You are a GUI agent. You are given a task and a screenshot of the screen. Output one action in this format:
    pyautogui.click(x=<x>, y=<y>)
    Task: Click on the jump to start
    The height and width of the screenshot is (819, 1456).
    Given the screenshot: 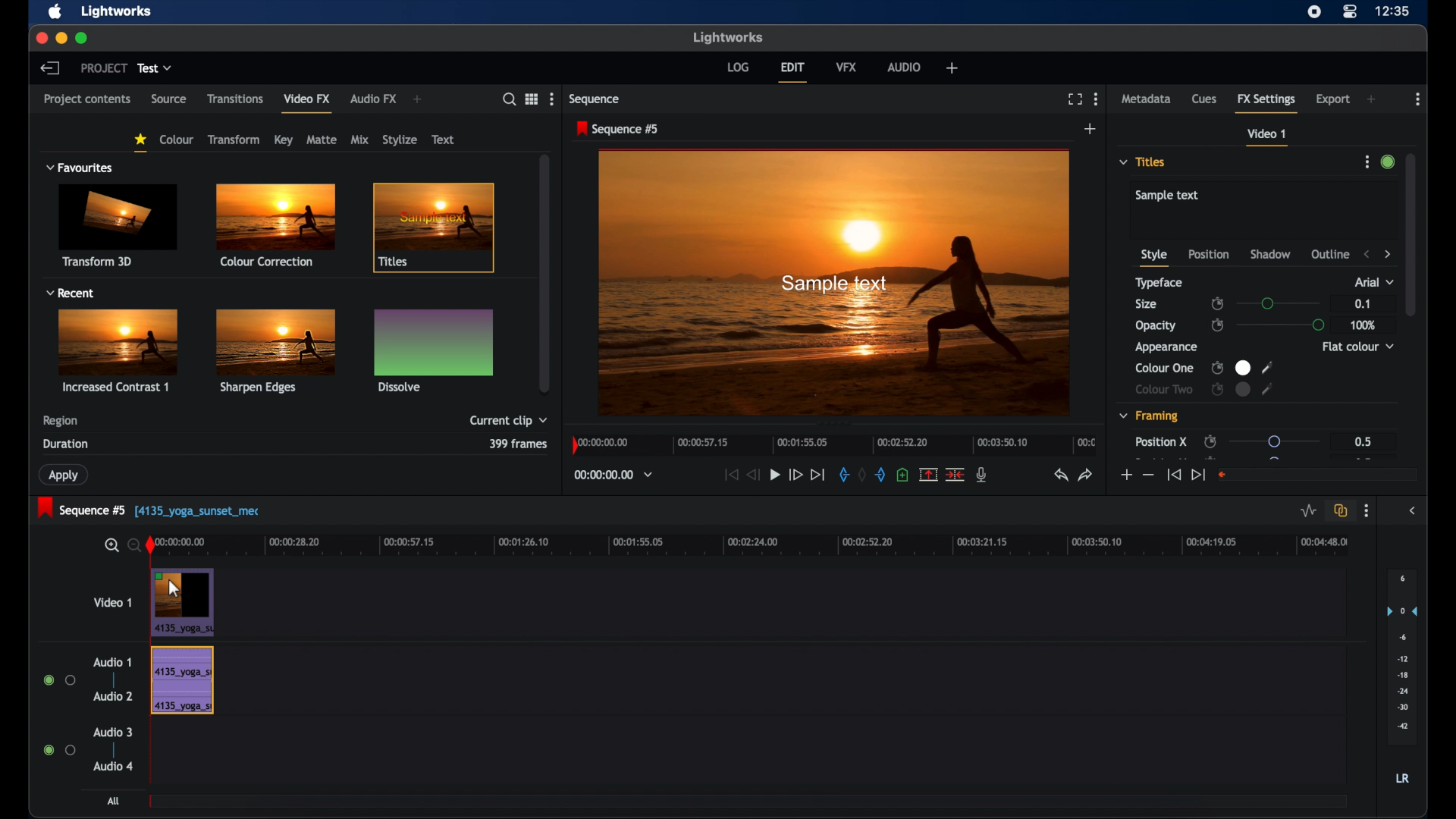 What is the action you would take?
    pyautogui.click(x=1174, y=475)
    